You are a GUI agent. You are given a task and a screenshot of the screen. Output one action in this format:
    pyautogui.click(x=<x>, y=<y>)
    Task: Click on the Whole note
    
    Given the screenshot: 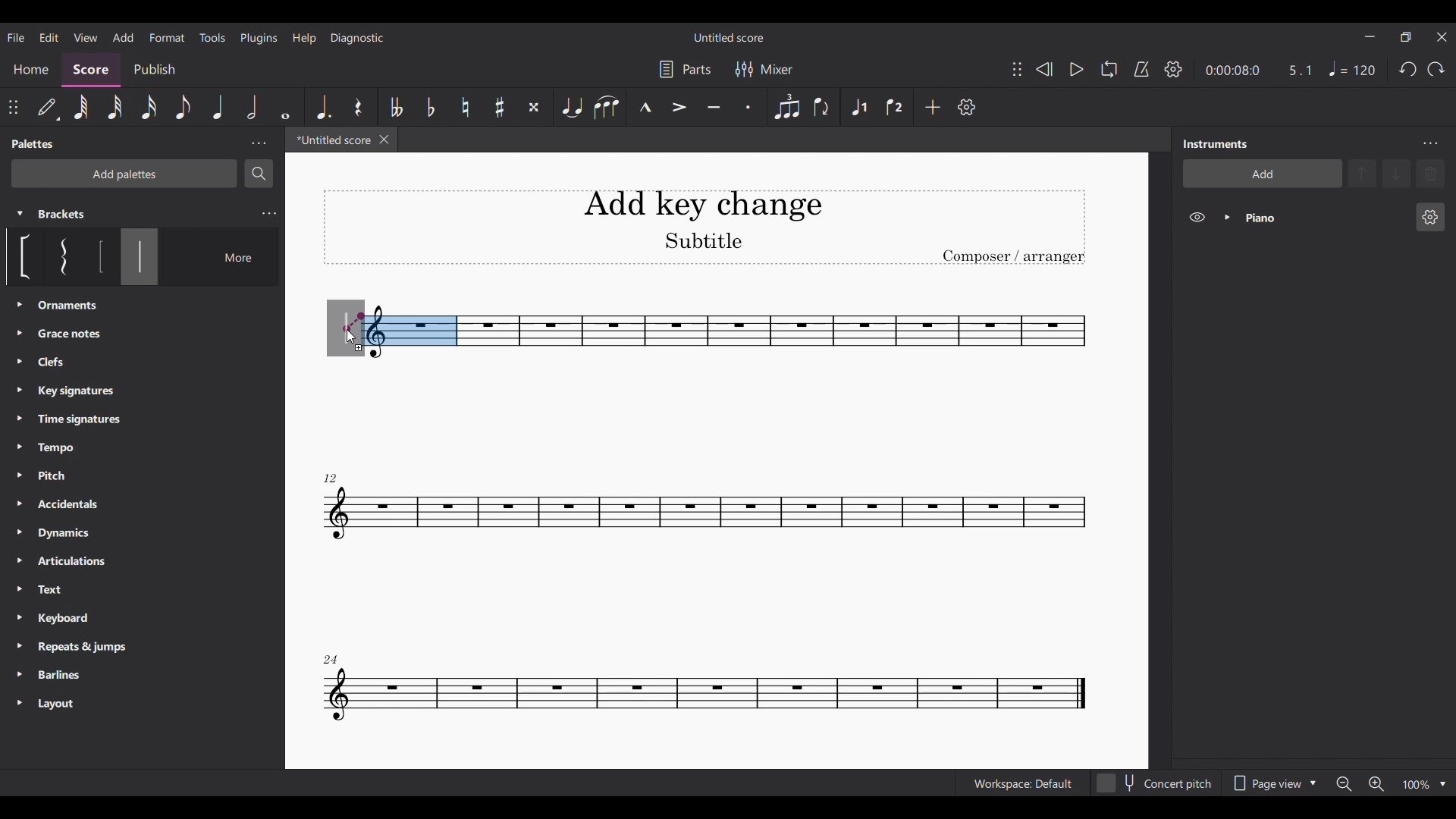 What is the action you would take?
    pyautogui.click(x=285, y=108)
    